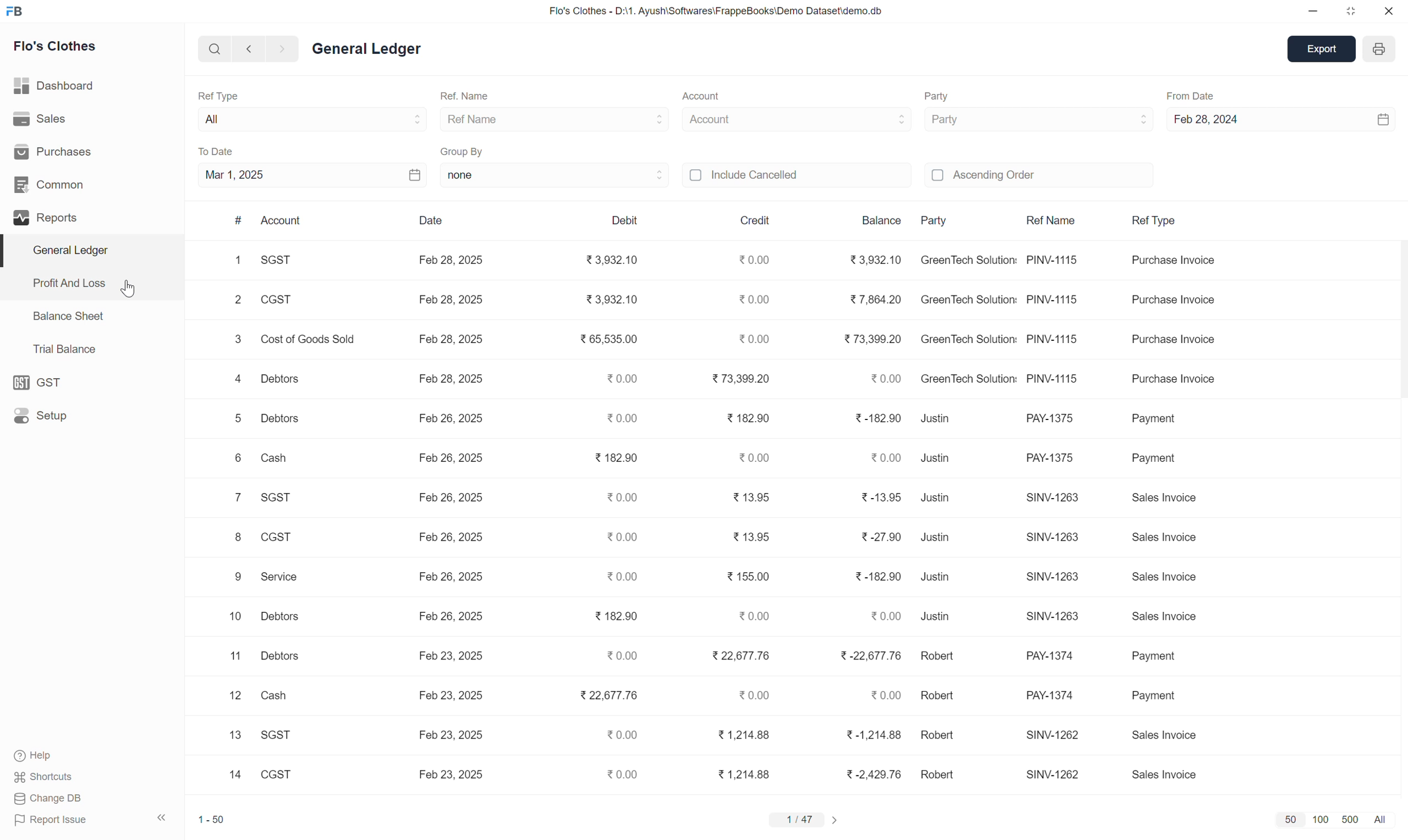 The height and width of the screenshot is (840, 1408). What do you see at coordinates (616, 618) in the screenshot?
I see `₹182.90` at bounding box center [616, 618].